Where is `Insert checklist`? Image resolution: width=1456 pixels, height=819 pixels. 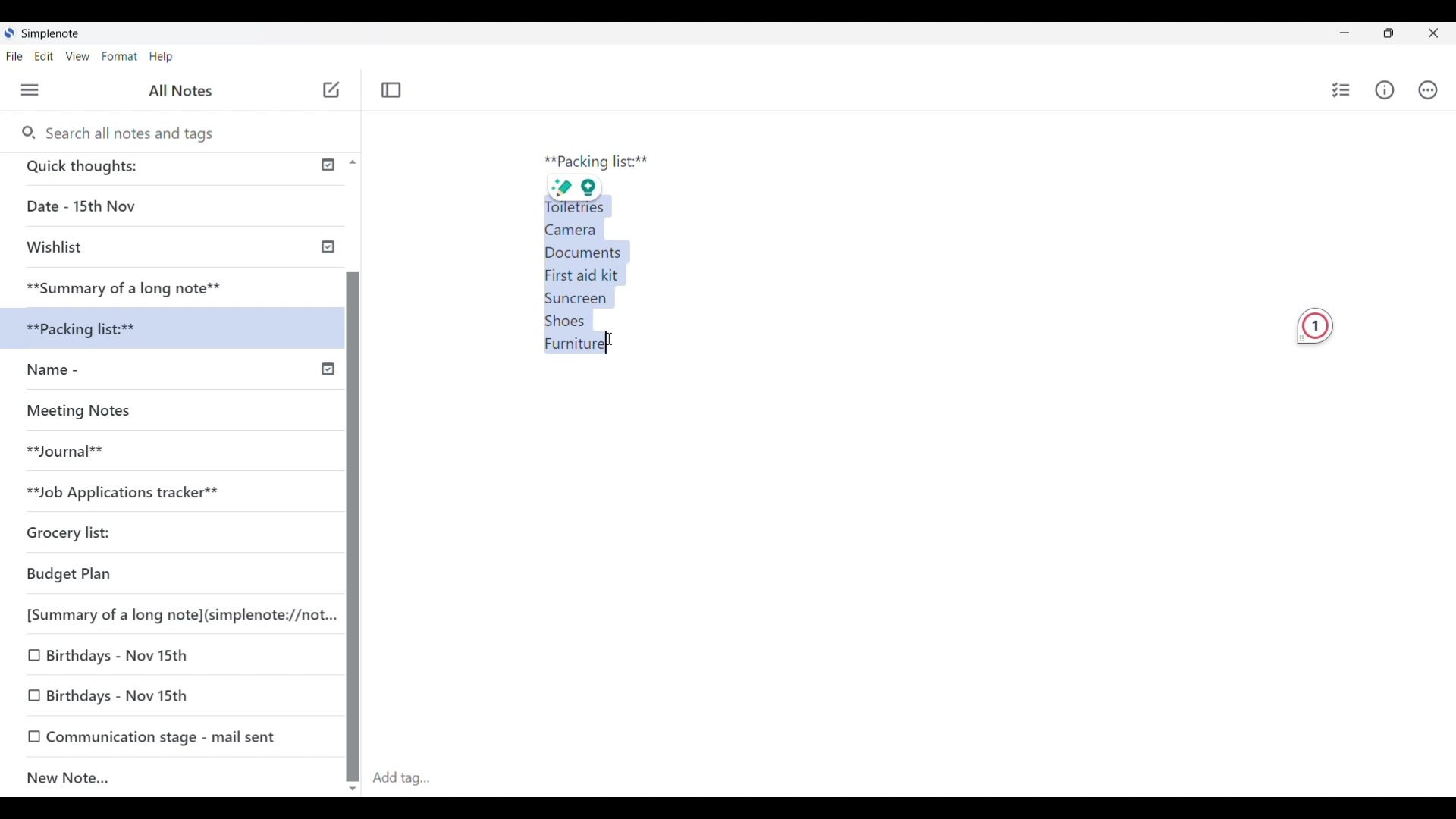 Insert checklist is located at coordinates (1342, 90).